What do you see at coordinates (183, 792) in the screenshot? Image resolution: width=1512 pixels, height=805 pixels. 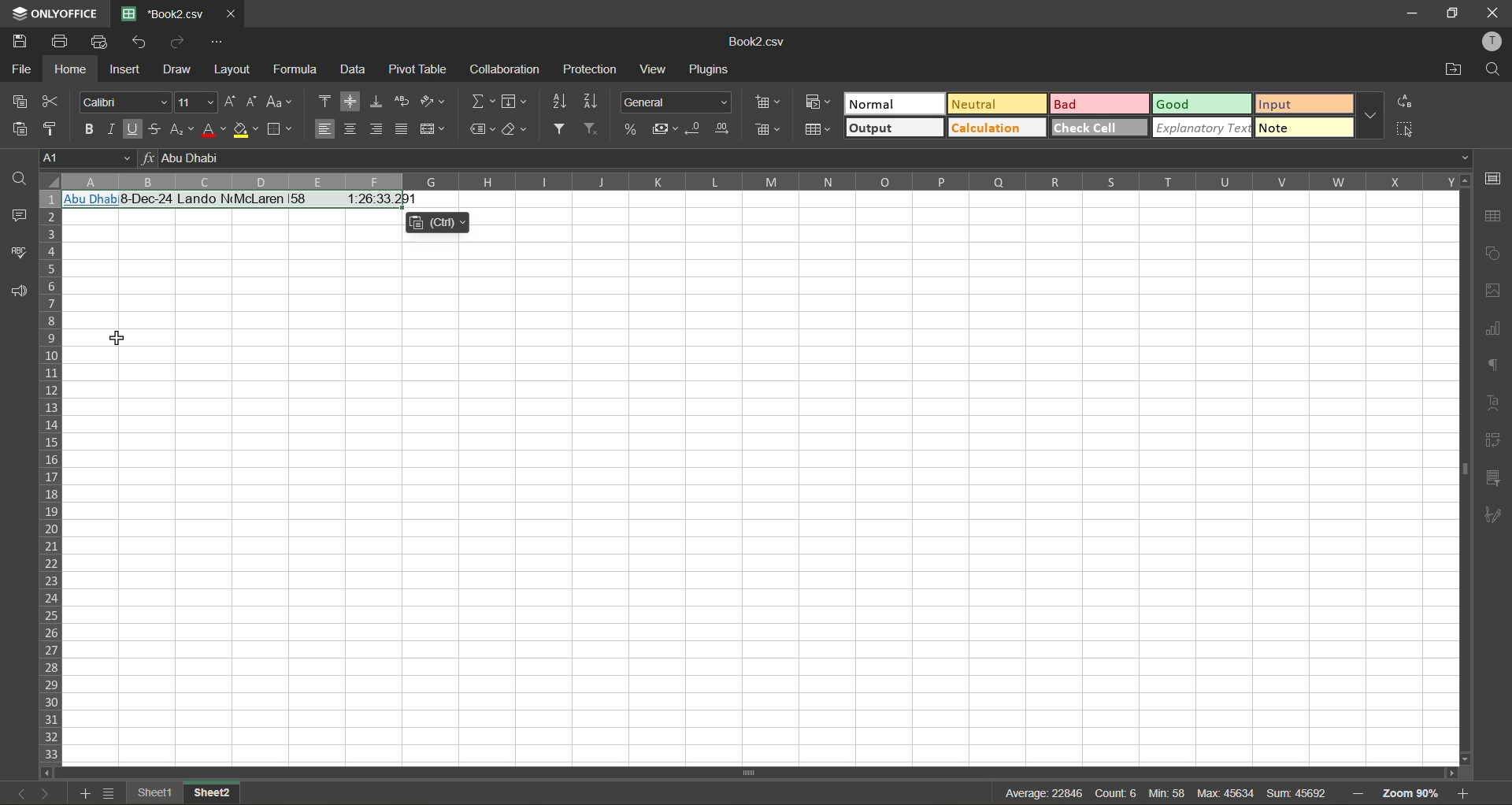 I see `sheet names` at bounding box center [183, 792].